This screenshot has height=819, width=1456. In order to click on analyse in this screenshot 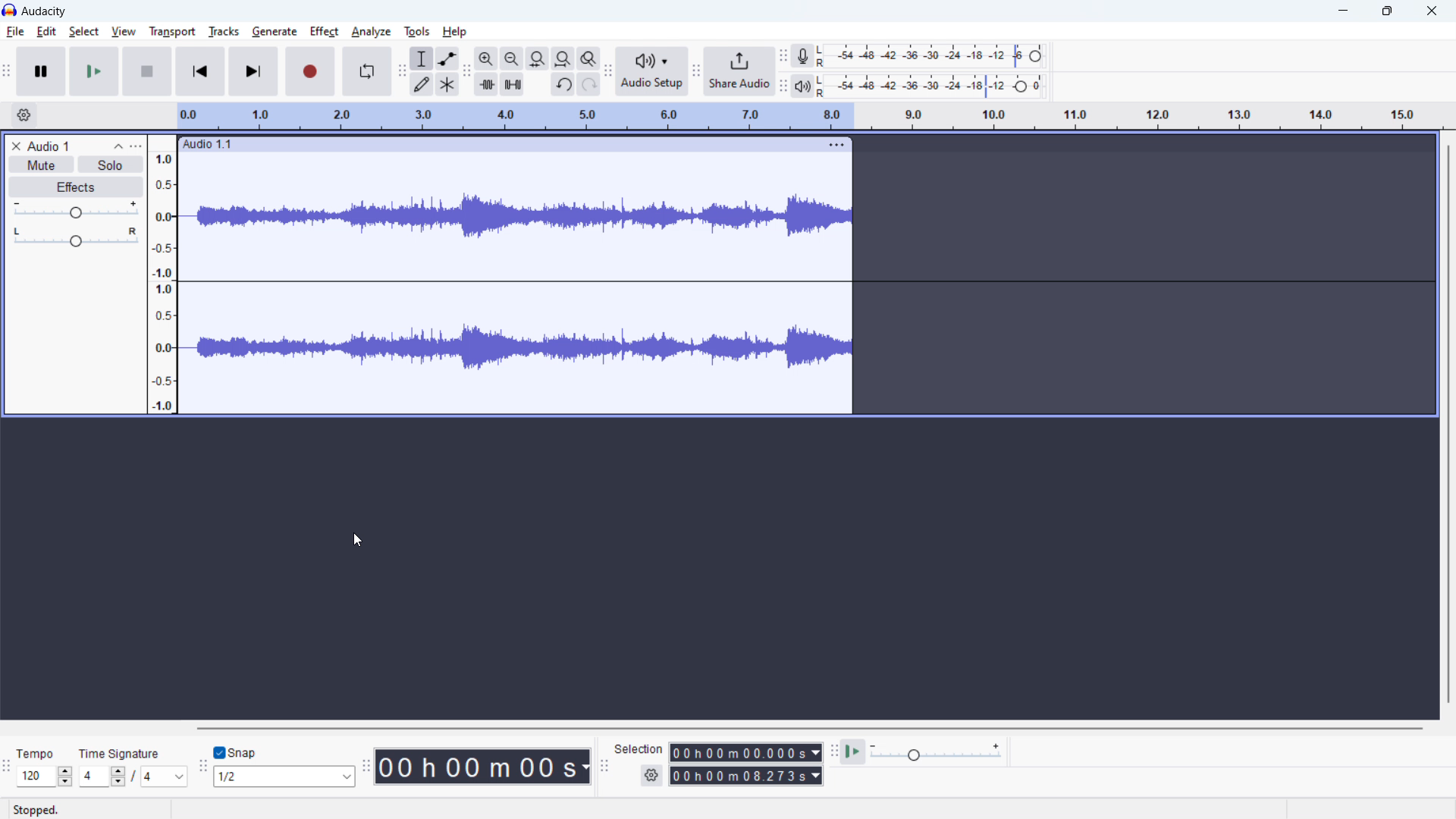, I will do `click(371, 32)`.